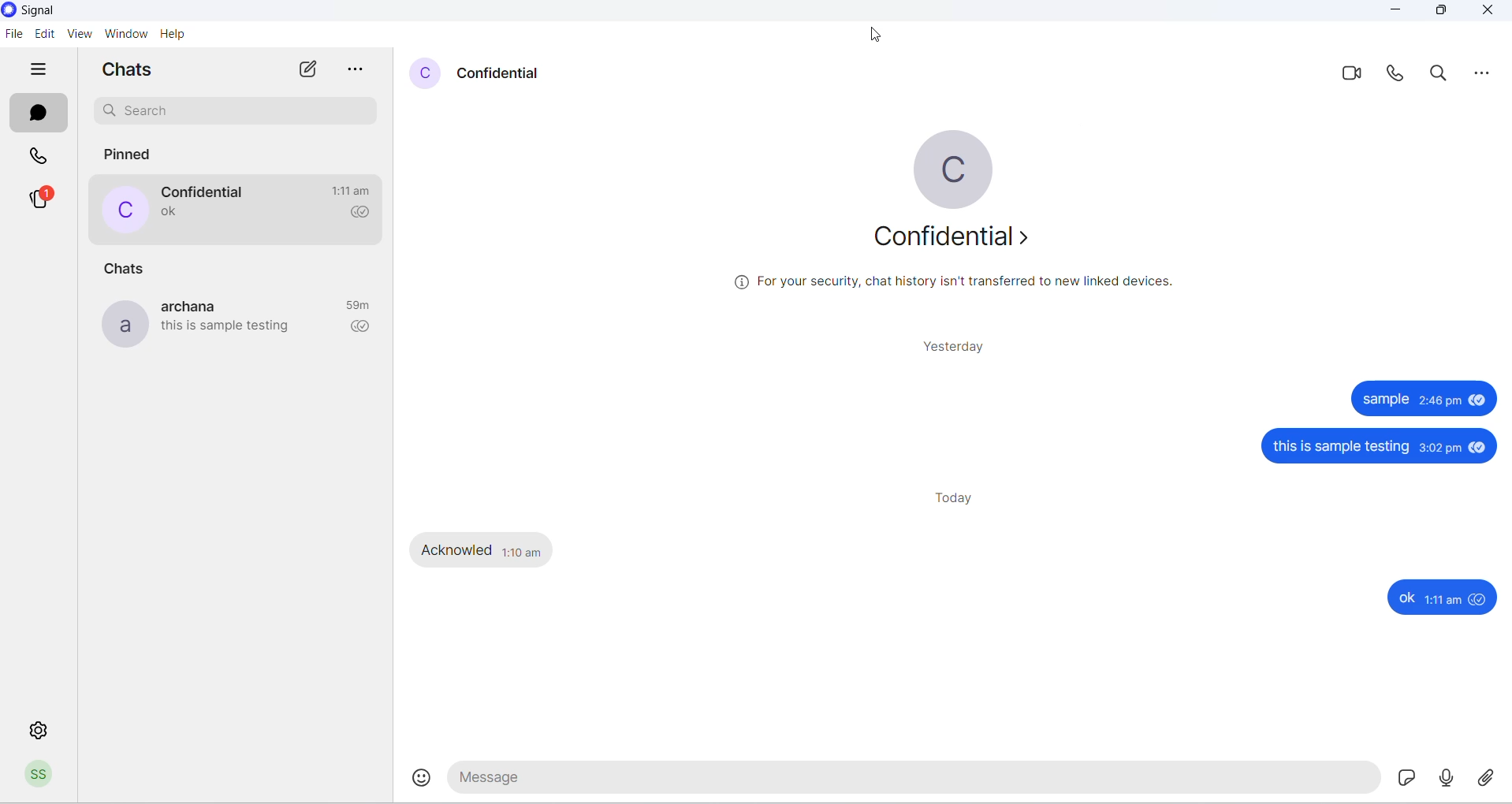 The image size is (1512, 804). What do you see at coordinates (883, 33) in the screenshot?
I see `cursor` at bounding box center [883, 33].